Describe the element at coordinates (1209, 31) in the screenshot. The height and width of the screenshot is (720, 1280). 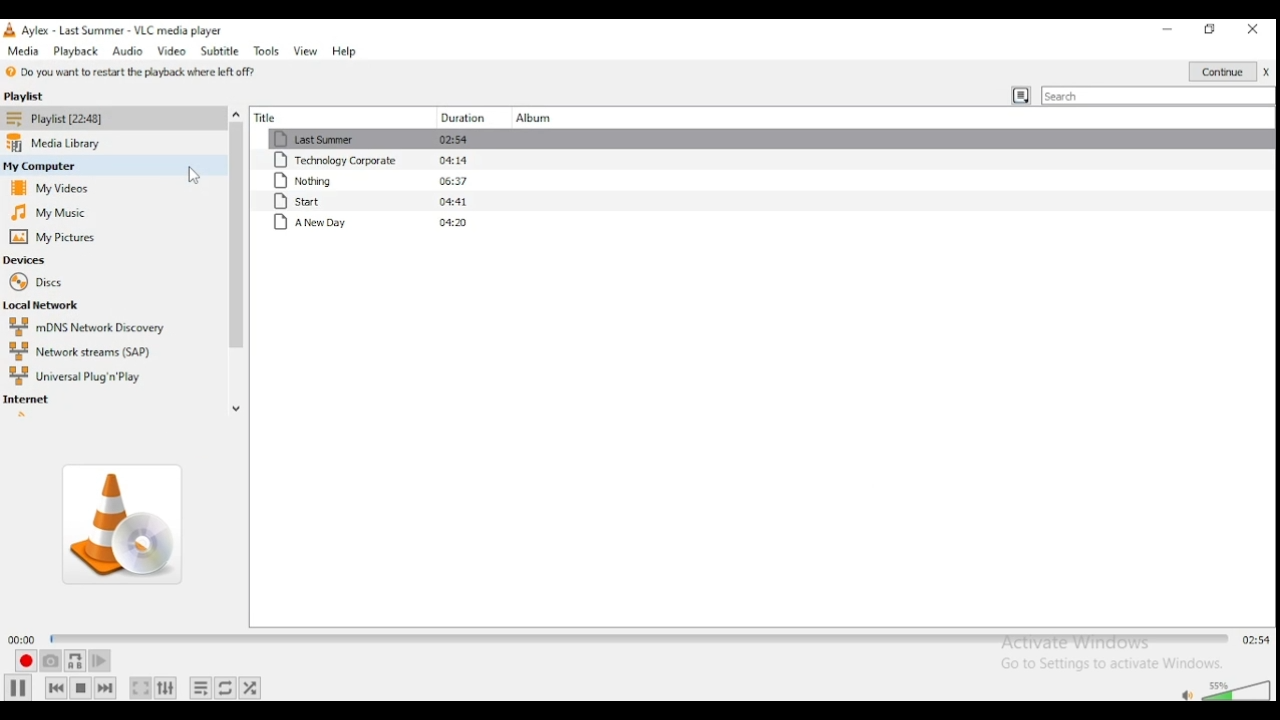
I see `restore` at that location.